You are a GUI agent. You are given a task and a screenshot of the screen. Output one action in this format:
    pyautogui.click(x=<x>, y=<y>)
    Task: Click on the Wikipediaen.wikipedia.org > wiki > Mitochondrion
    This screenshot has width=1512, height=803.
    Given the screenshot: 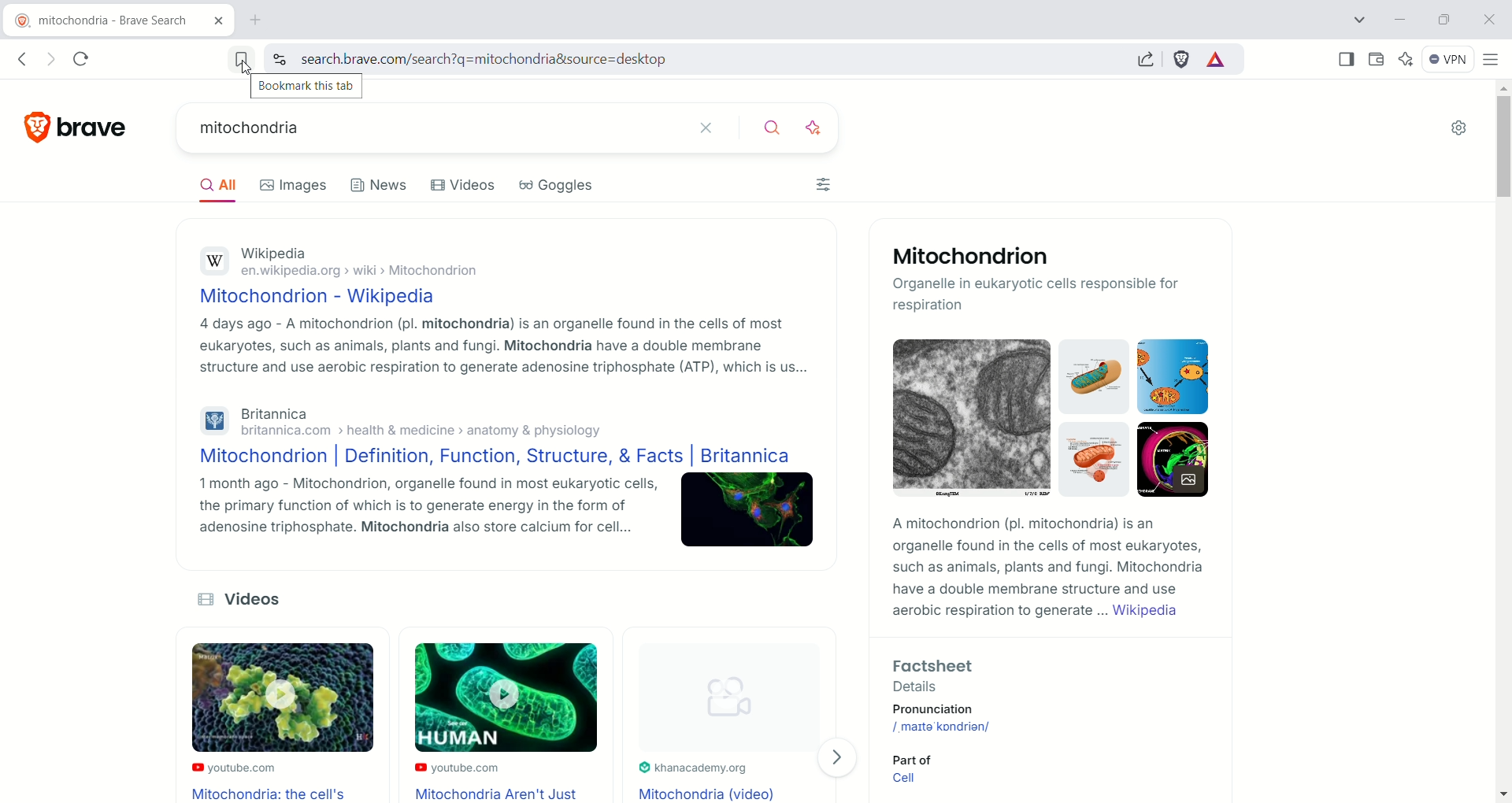 What is the action you would take?
    pyautogui.click(x=352, y=259)
    